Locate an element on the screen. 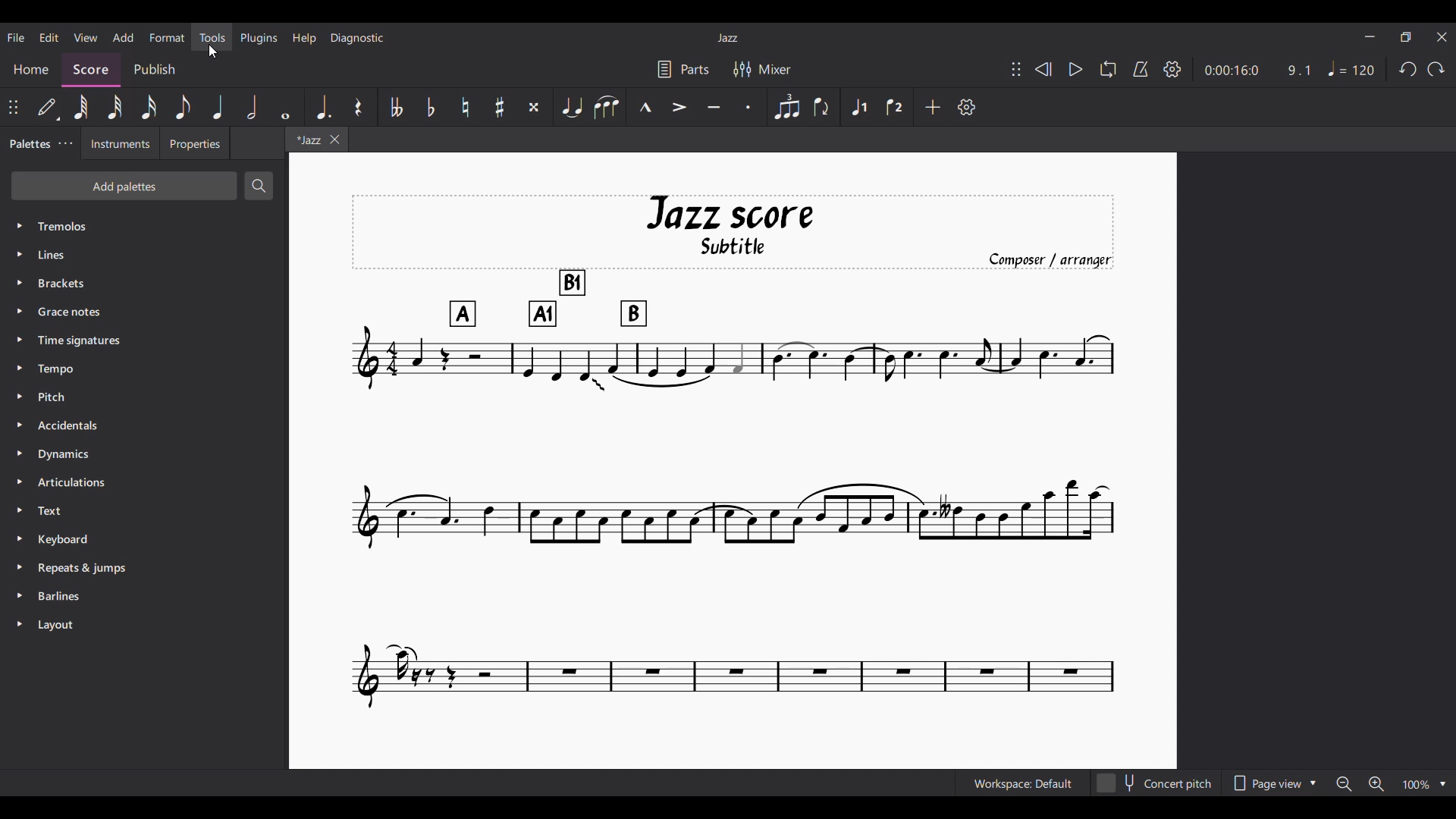 The image size is (1456, 819). Current score is located at coordinates (733, 453).